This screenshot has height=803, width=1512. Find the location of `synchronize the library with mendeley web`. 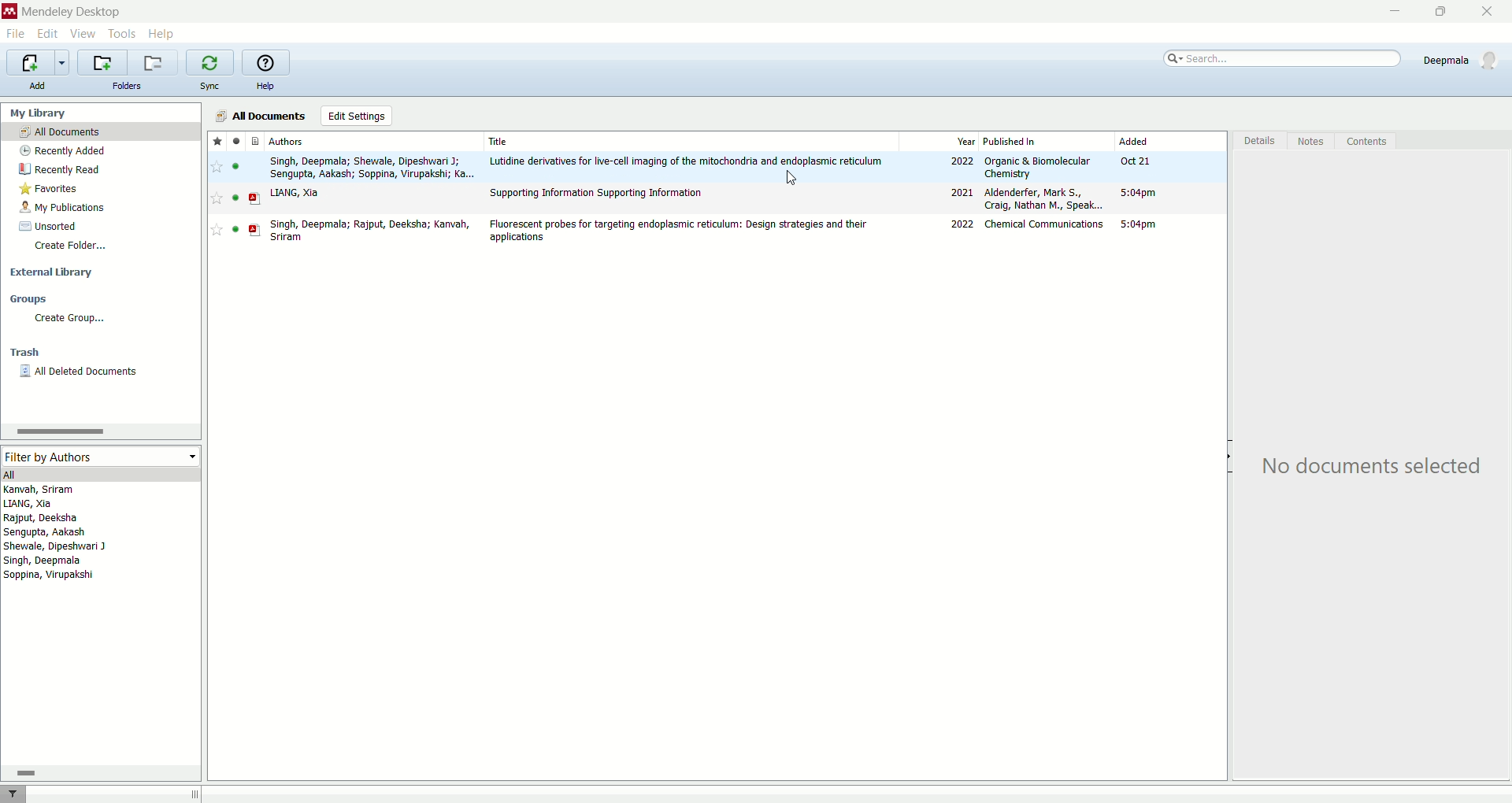

synchronize the library with mendeley web is located at coordinates (210, 63).